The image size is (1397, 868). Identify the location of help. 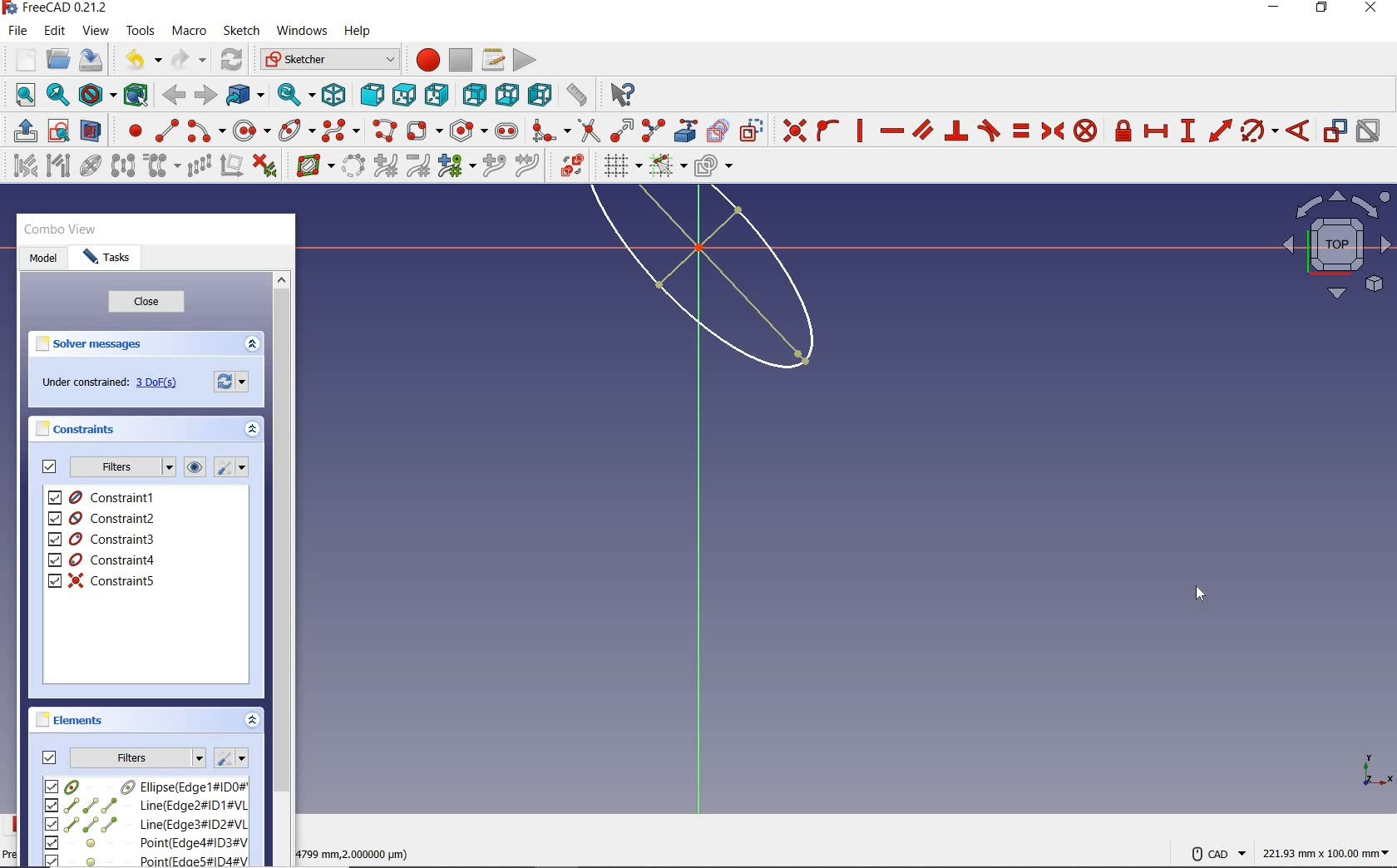
(357, 32).